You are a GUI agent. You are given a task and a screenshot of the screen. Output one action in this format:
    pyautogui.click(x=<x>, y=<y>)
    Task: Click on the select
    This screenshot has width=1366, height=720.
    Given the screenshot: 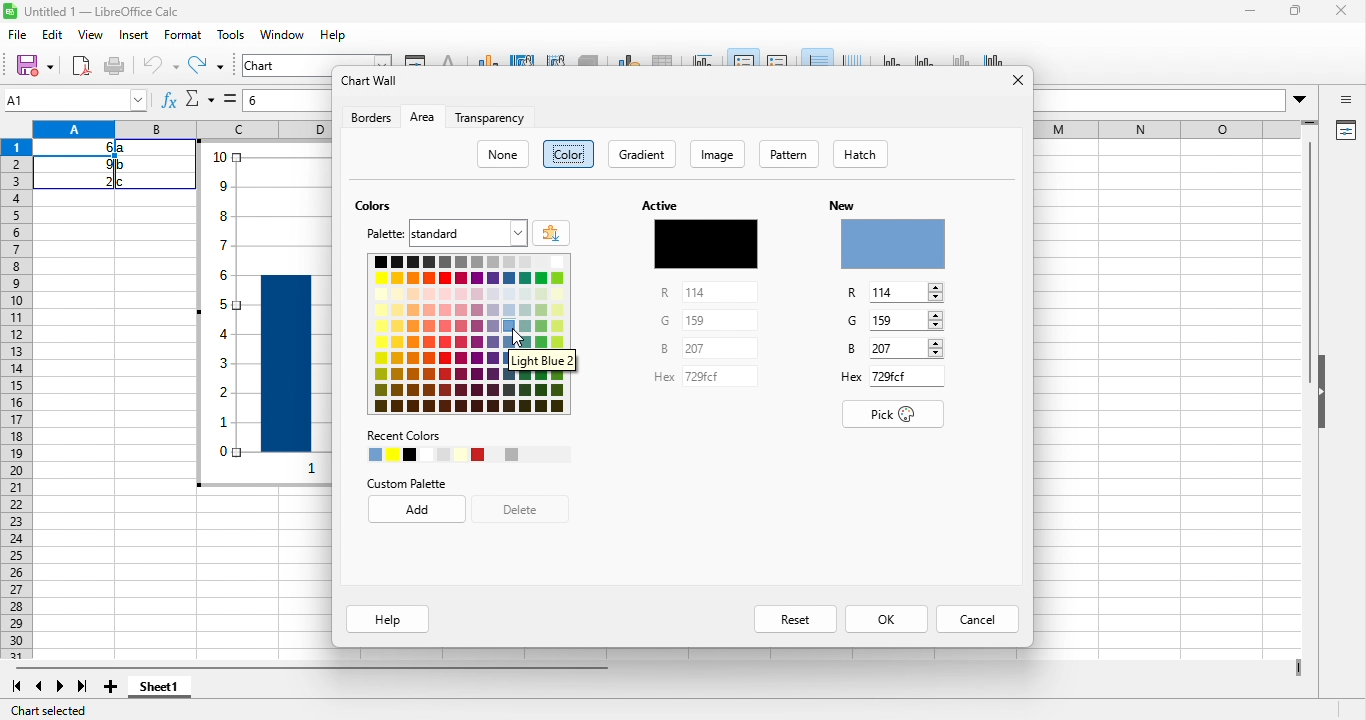 What is the action you would take?
    pyautogui.click(x=228, y=98)
    